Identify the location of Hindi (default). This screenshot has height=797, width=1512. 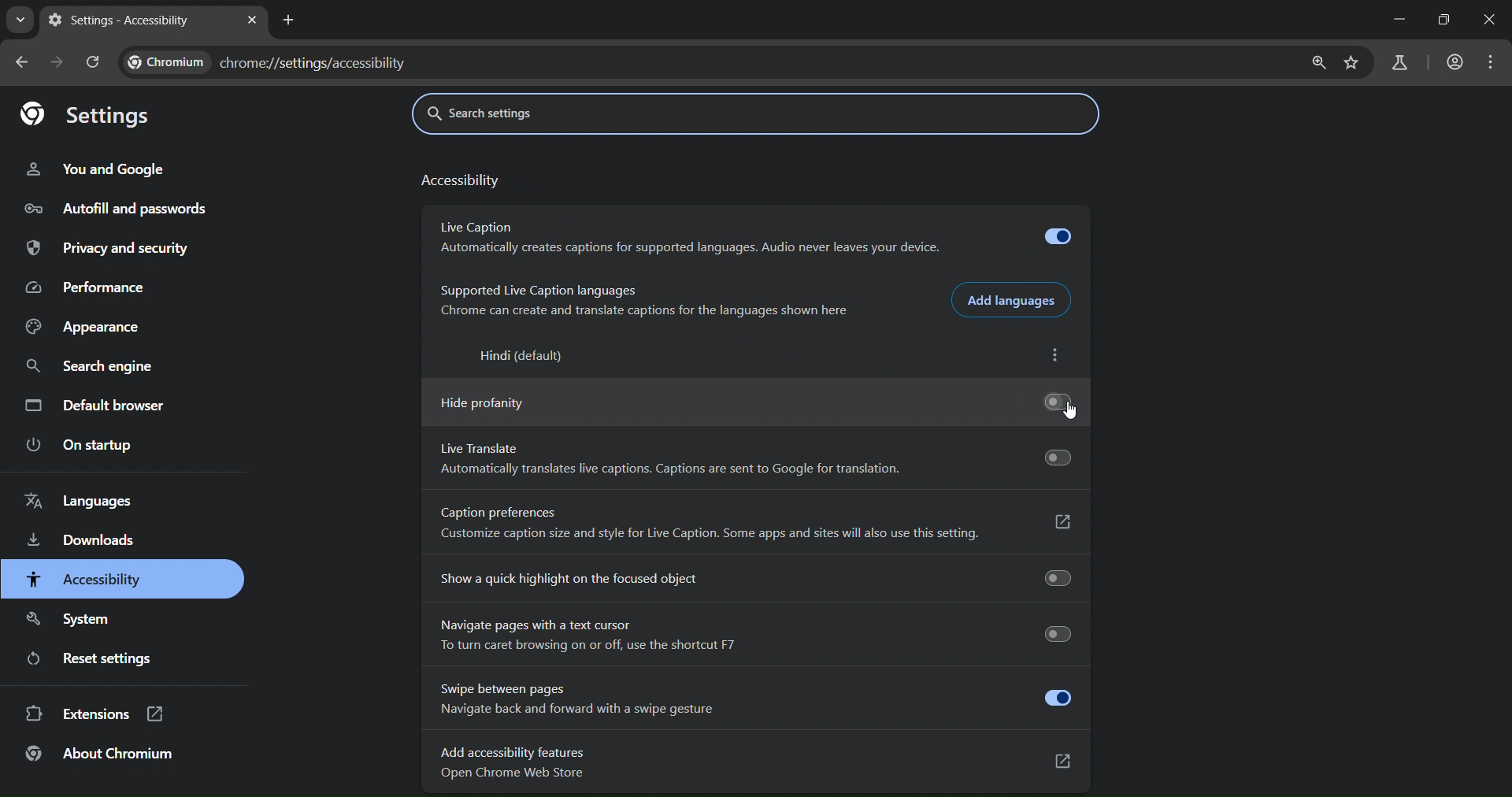
(524, 356).